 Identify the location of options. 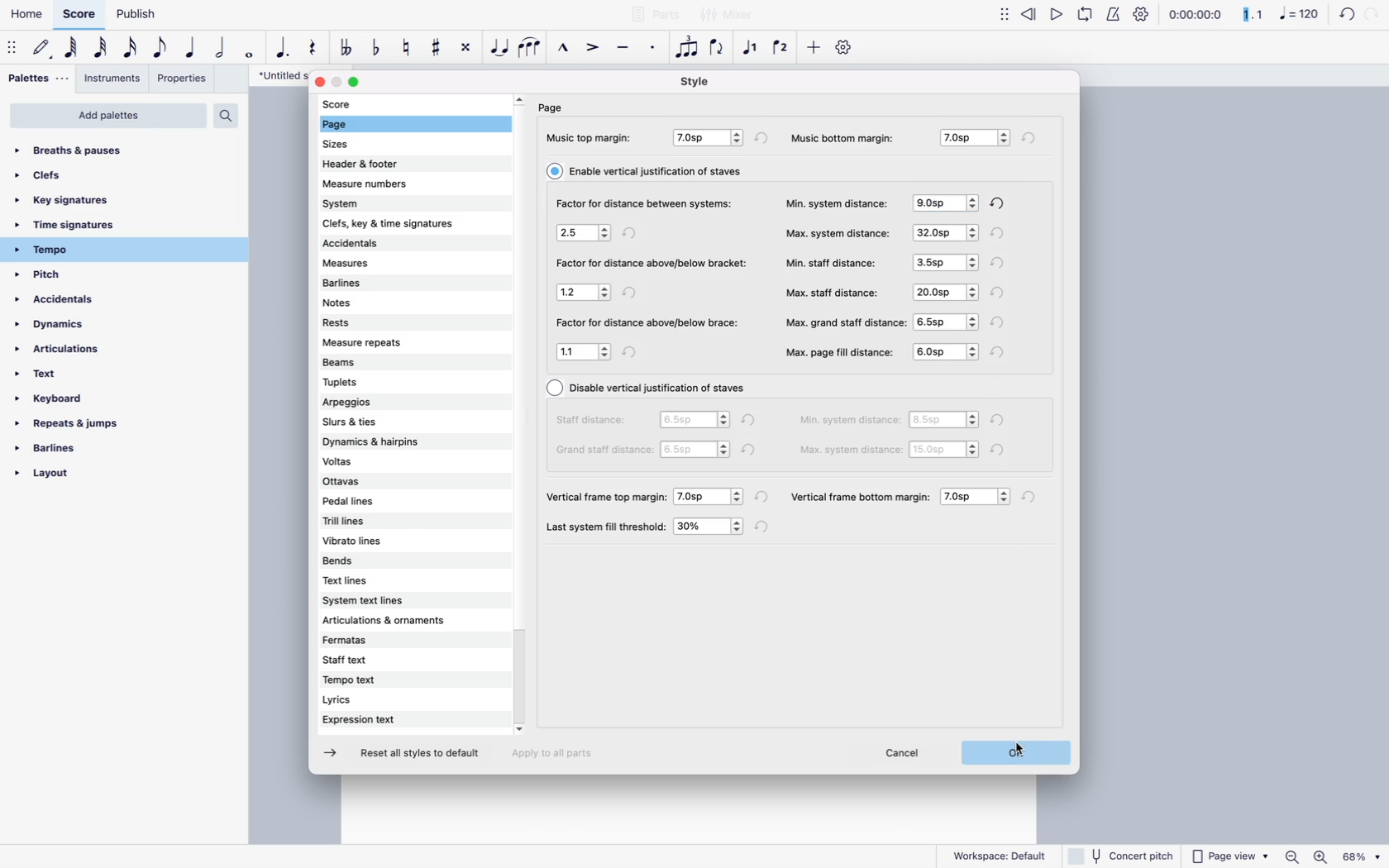
(696, 450).